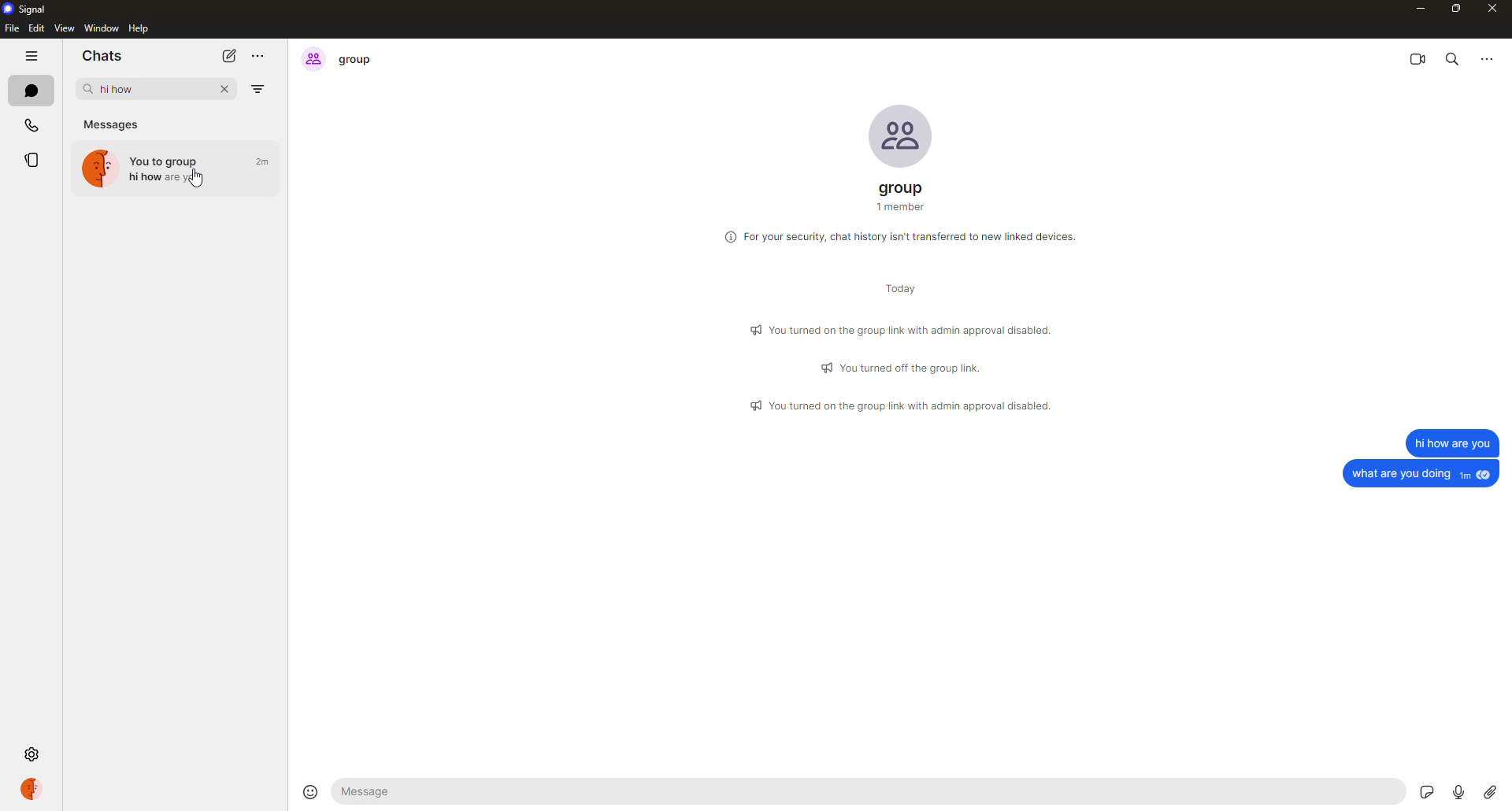  I want to click on window, so click(101, 28).